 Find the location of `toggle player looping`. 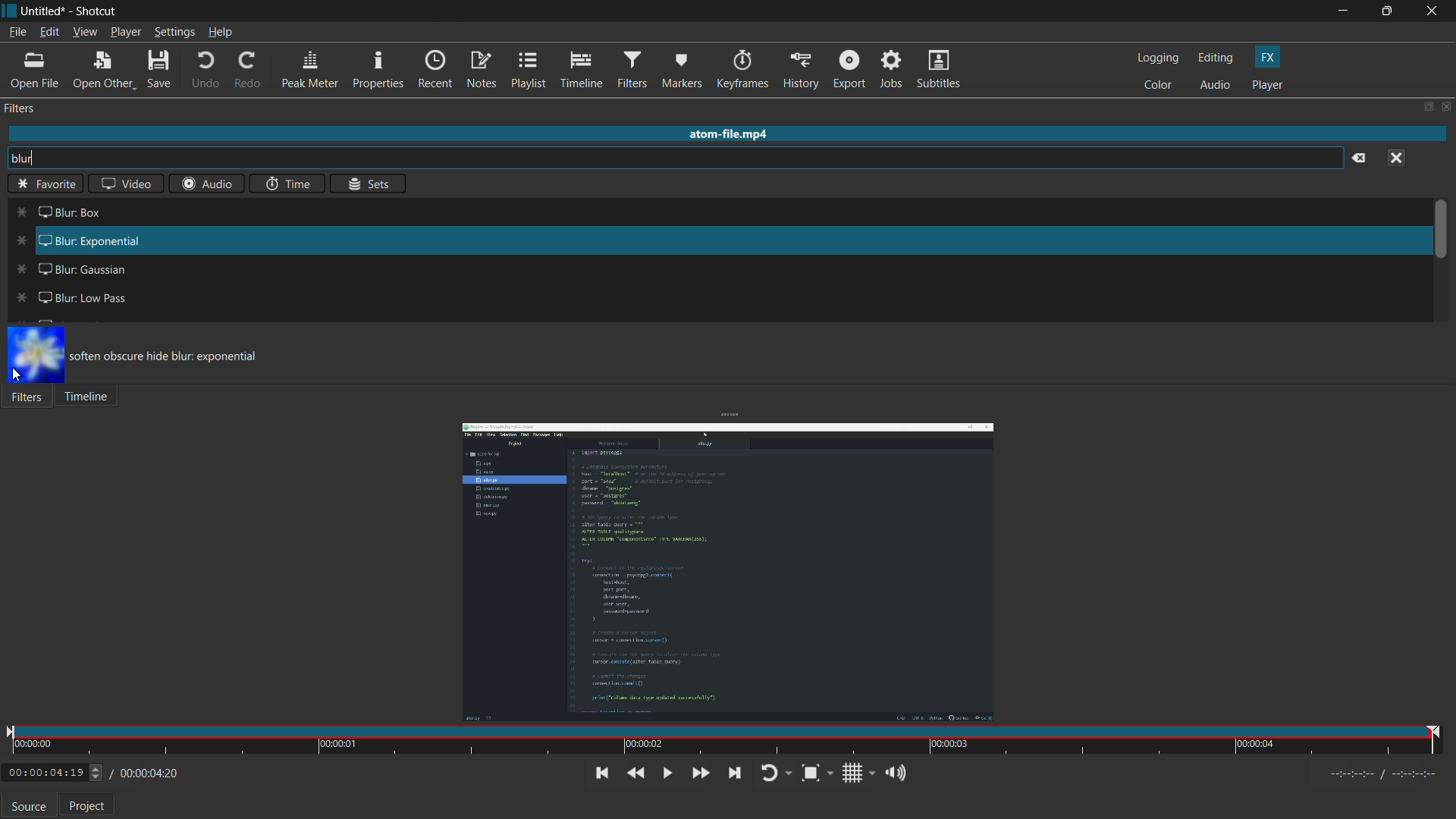

toggle player looping is located at coordinates (774, 774).